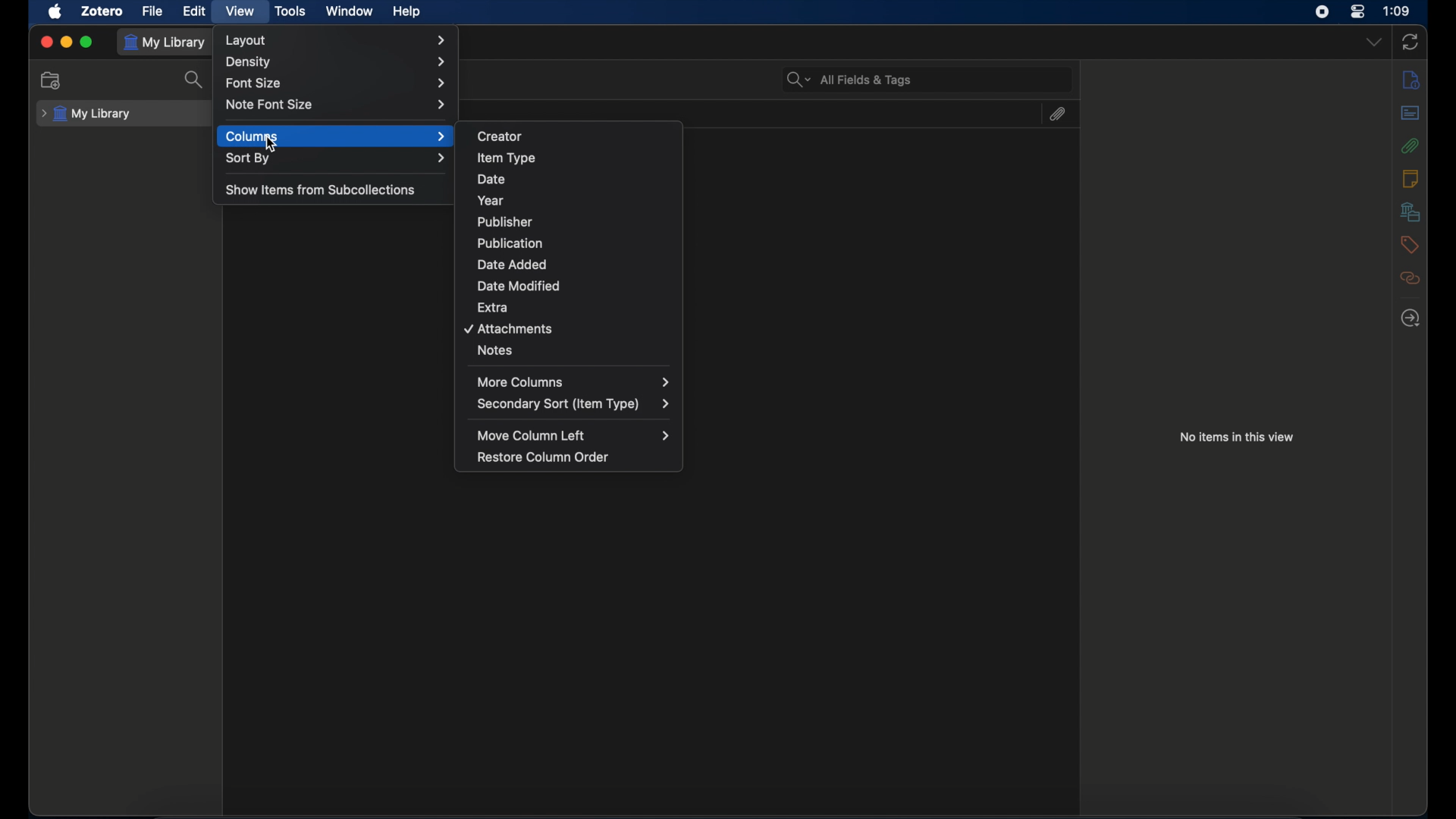  Describe the element at coordinates (574, 404) in the screenshot. I see `secondary sort` at that location.